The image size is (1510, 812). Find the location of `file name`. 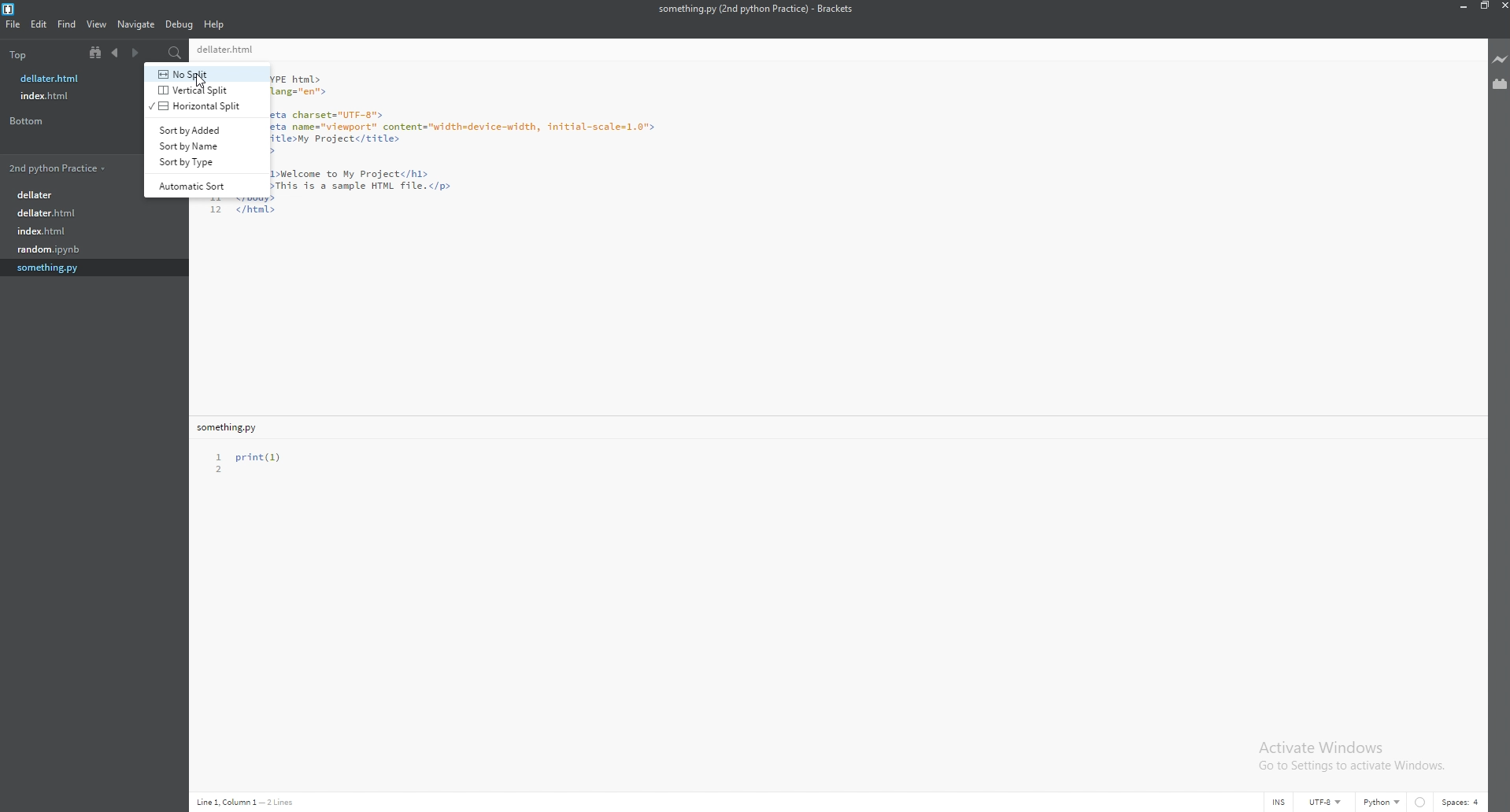

file name is located at coordinates (232, 429).